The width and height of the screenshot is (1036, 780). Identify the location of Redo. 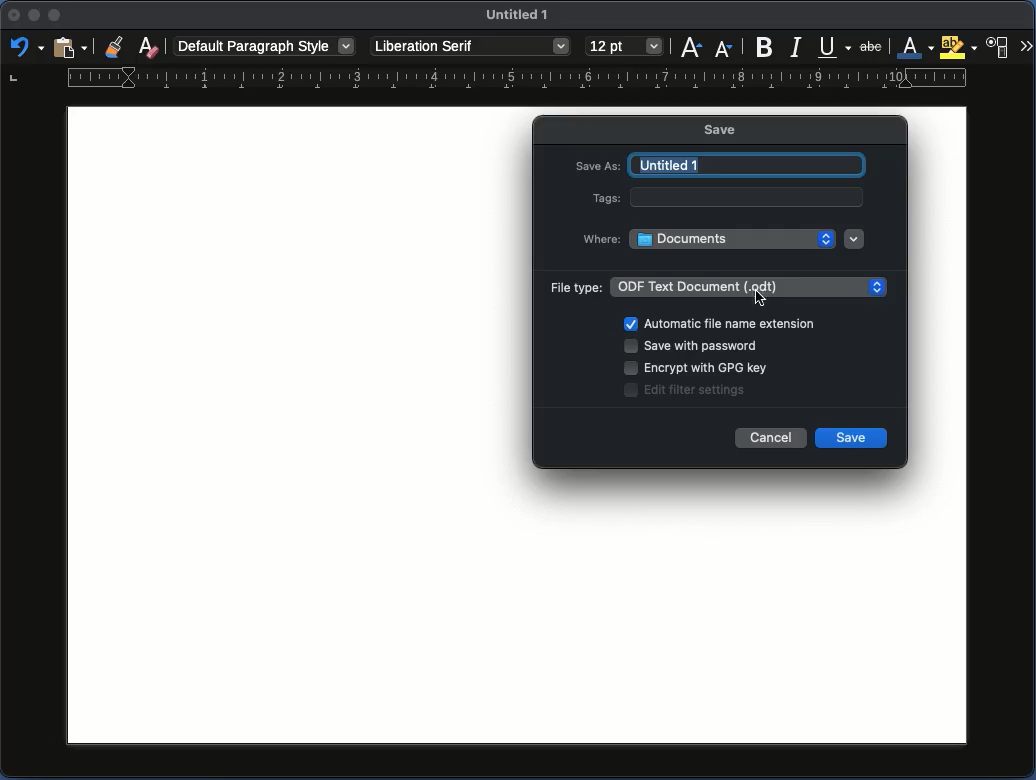
(23, 49).